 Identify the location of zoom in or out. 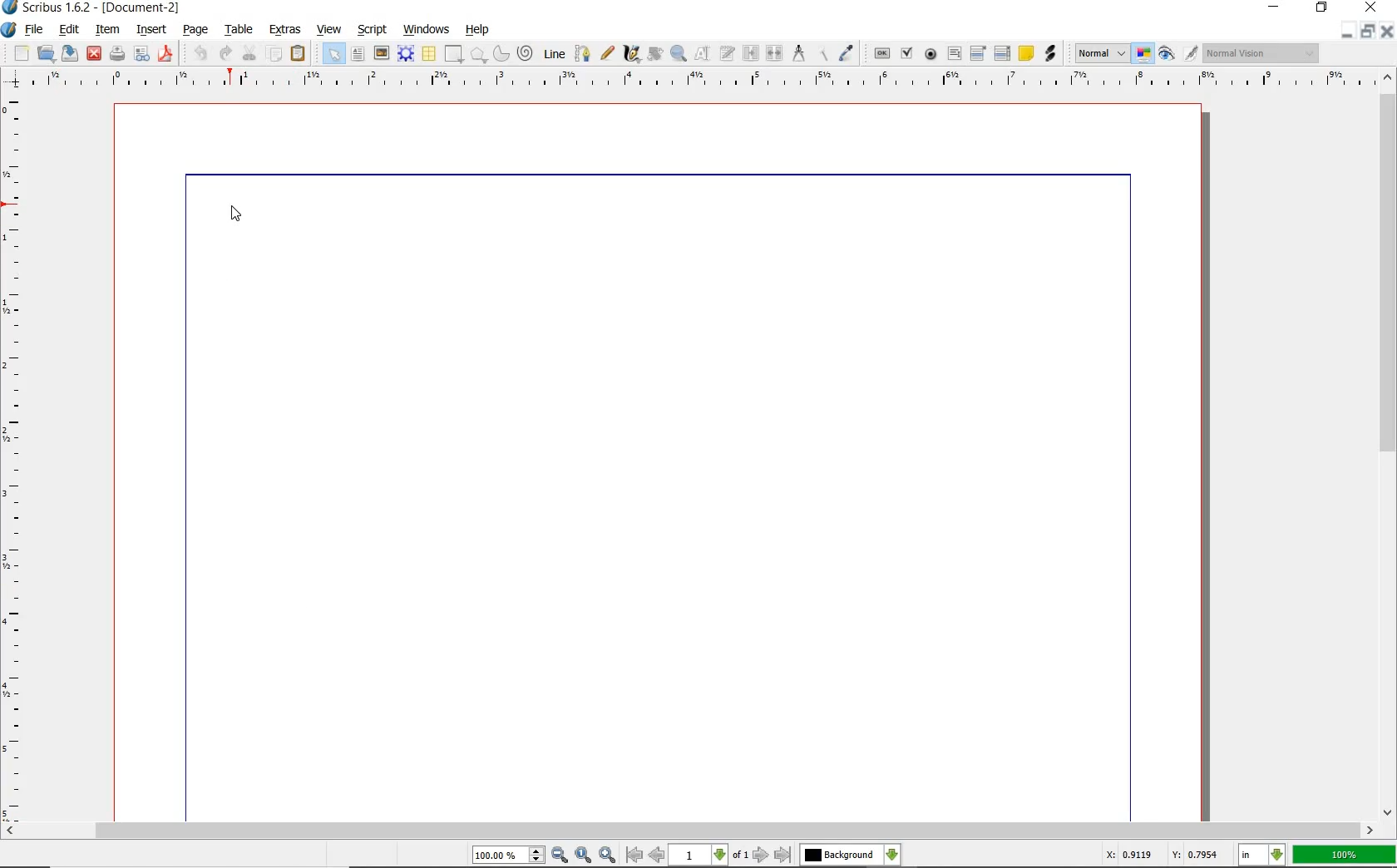
(677, 54).